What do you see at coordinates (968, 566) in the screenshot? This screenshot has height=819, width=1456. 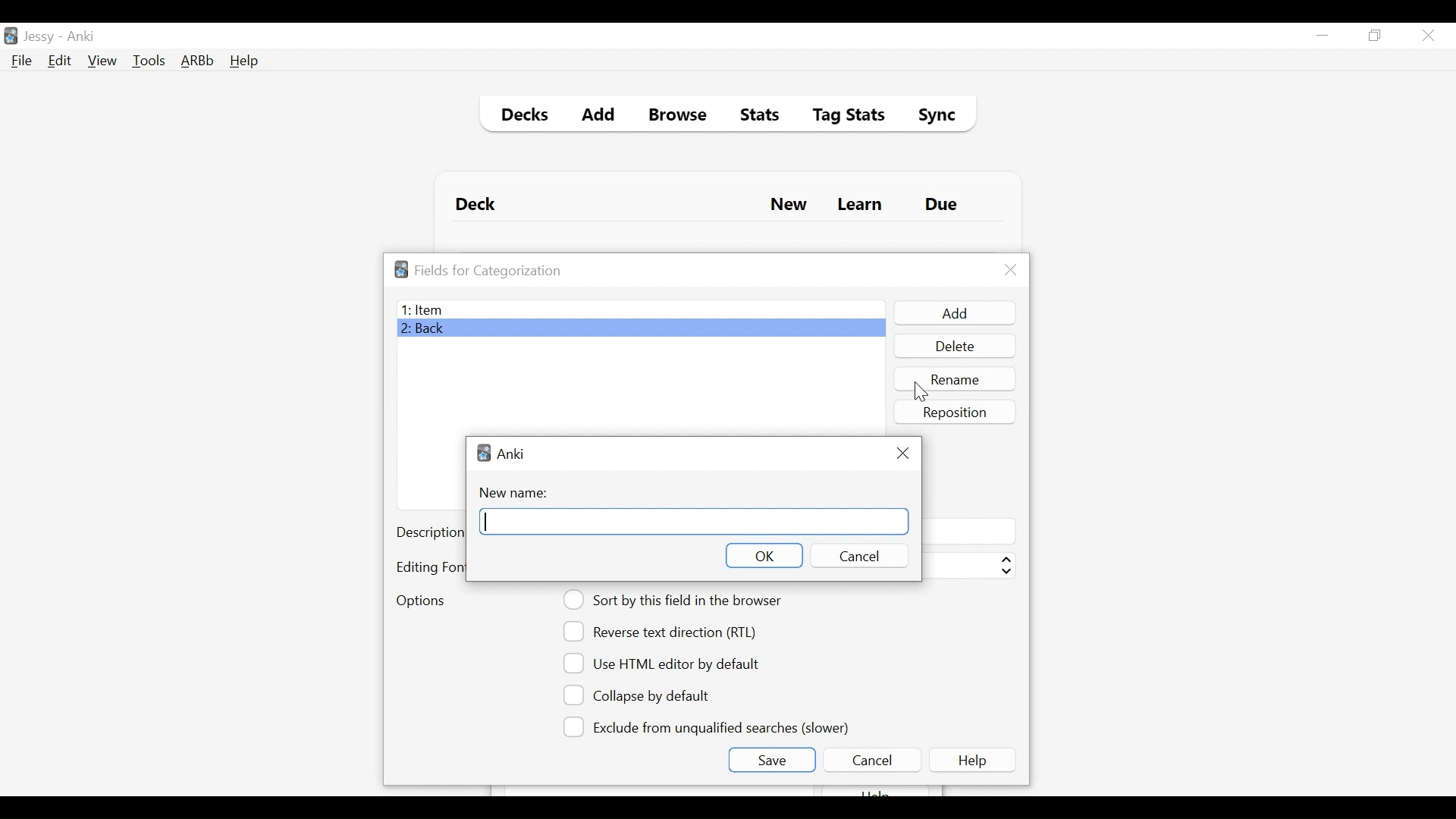 I see `Adjust Font Size` at bounding box center [968, 566].